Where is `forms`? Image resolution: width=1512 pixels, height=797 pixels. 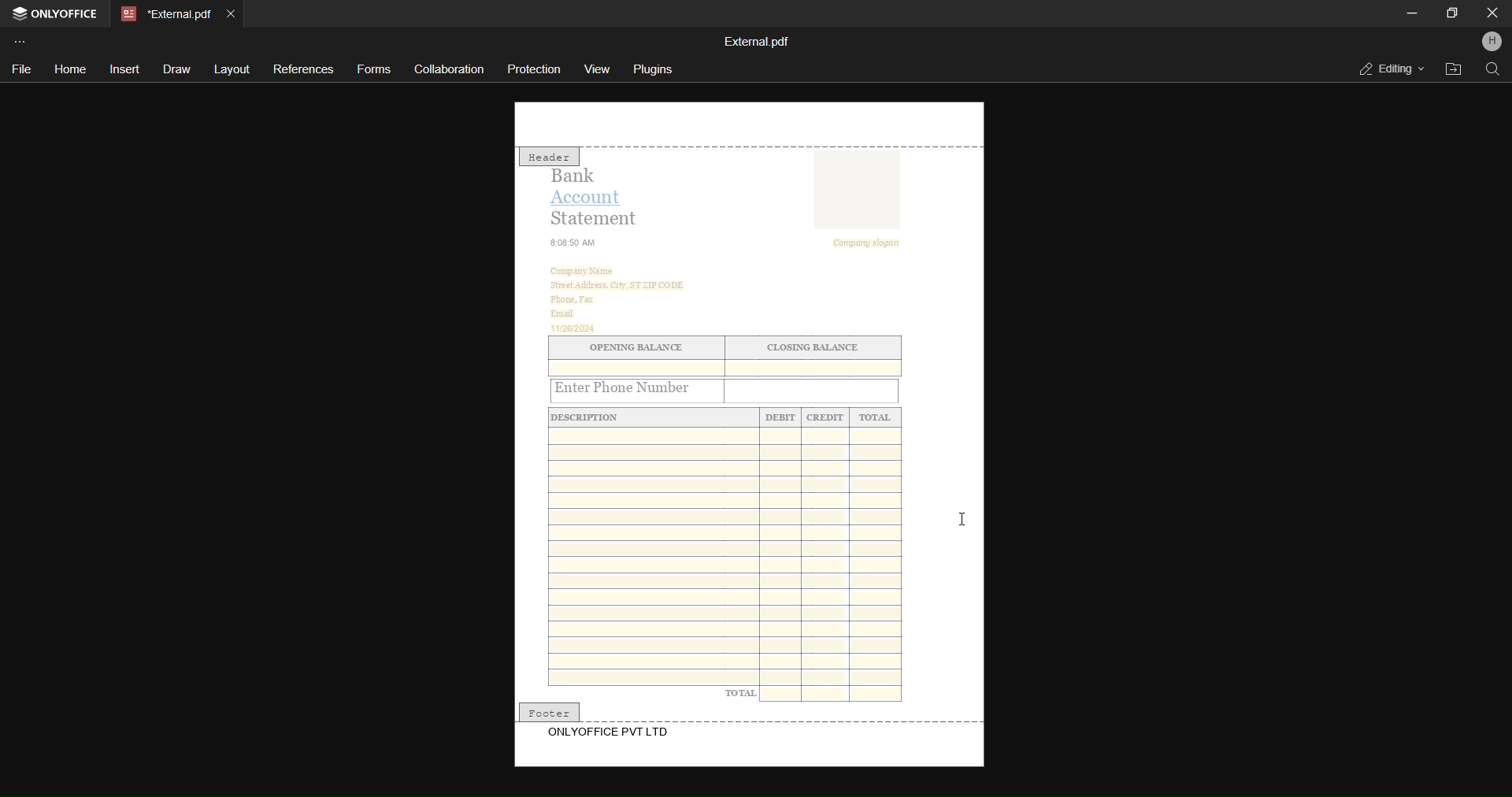
forms is located at coordinates (372, 69).